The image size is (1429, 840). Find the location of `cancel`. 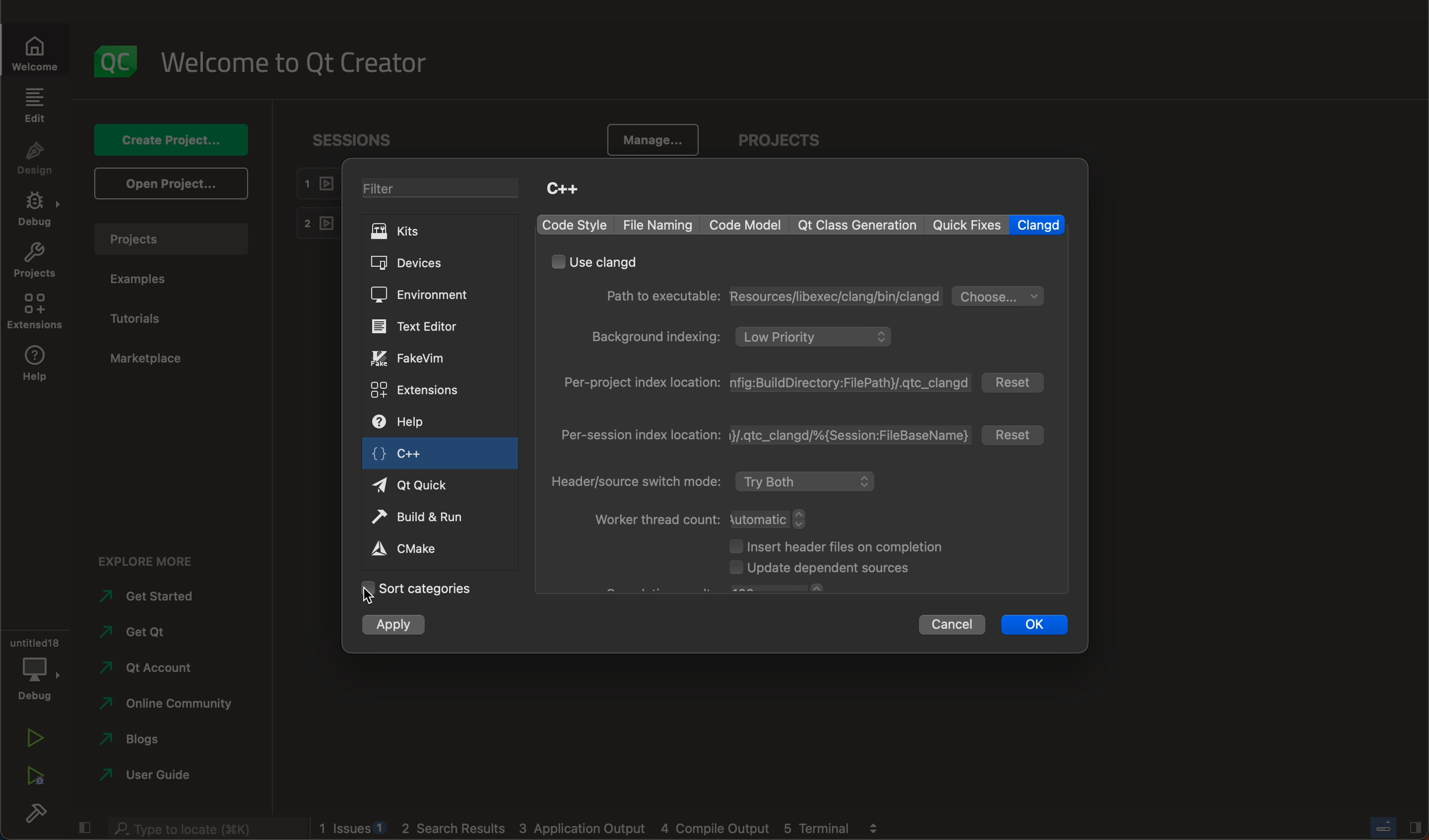

cancel is located at coordinates (952, 623).